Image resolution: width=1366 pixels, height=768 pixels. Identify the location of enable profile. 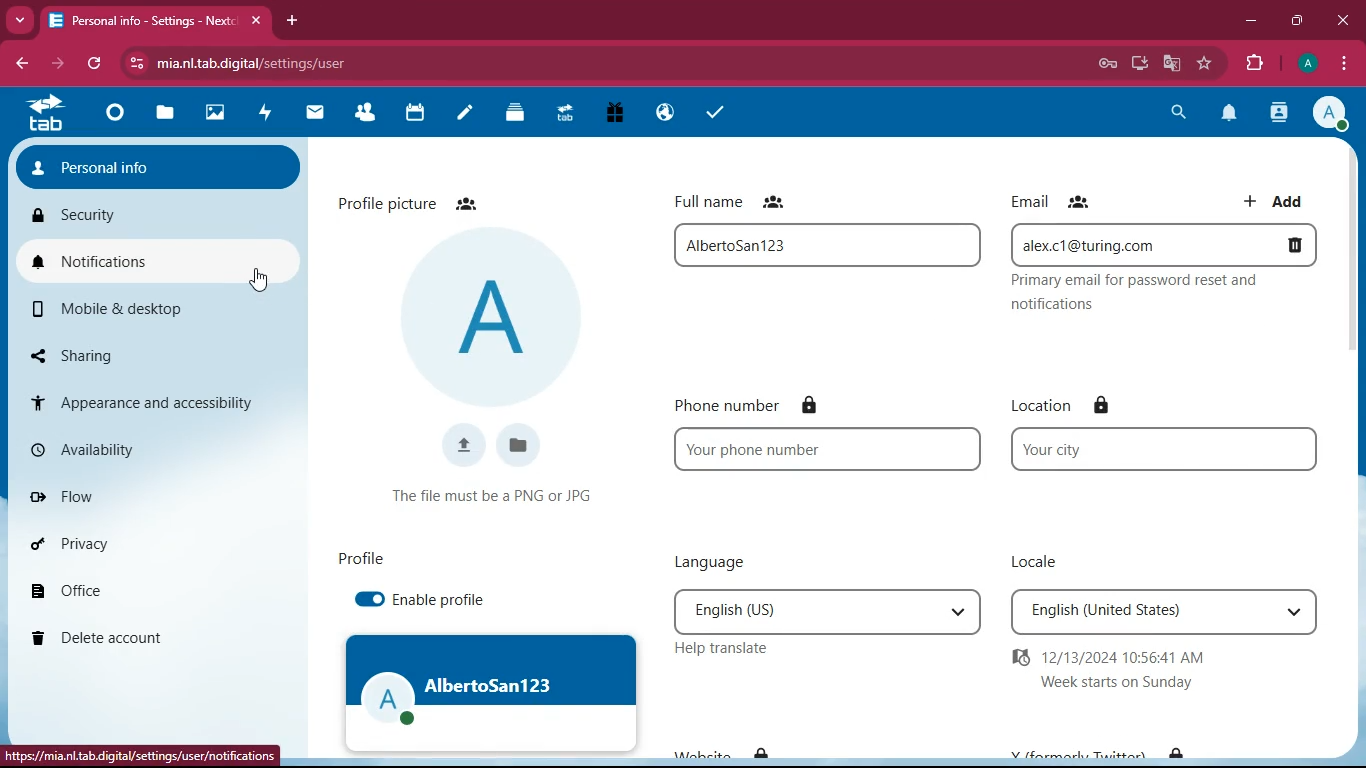
(421, 601).